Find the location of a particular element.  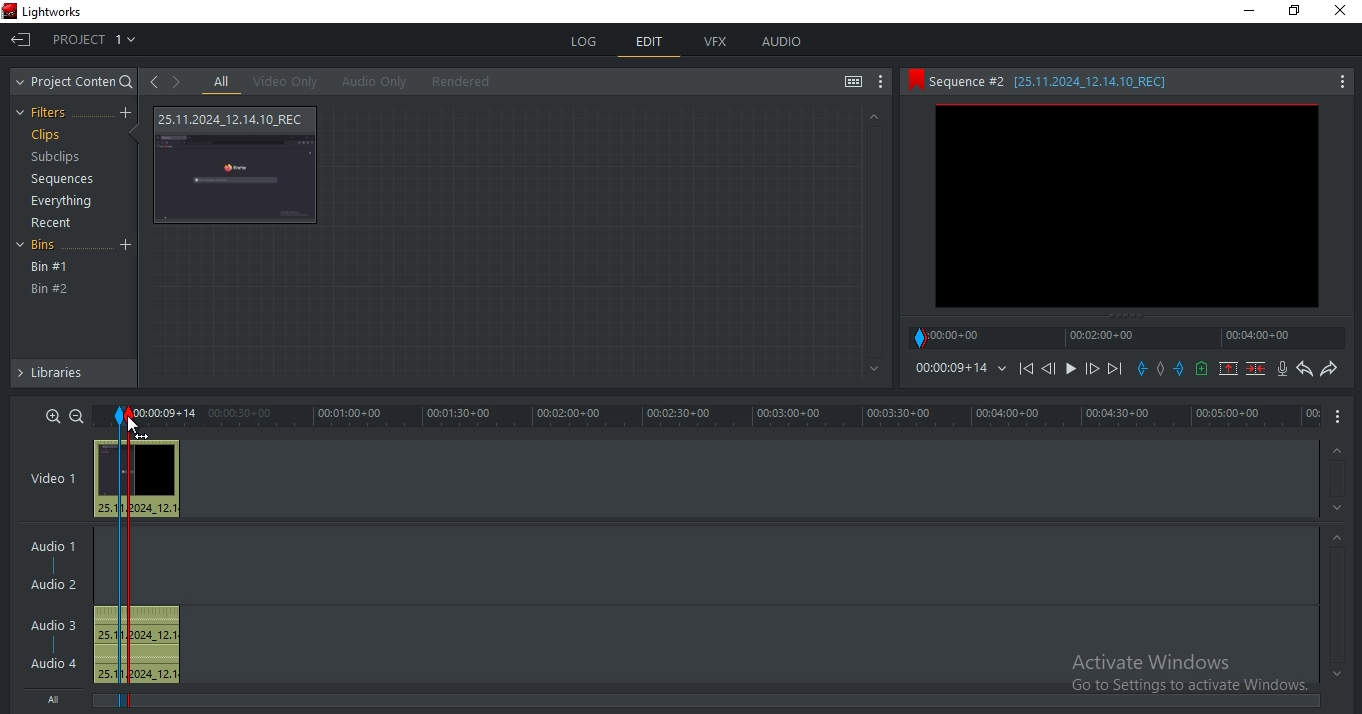

Audio 1 is located at coordinates (57, 543).